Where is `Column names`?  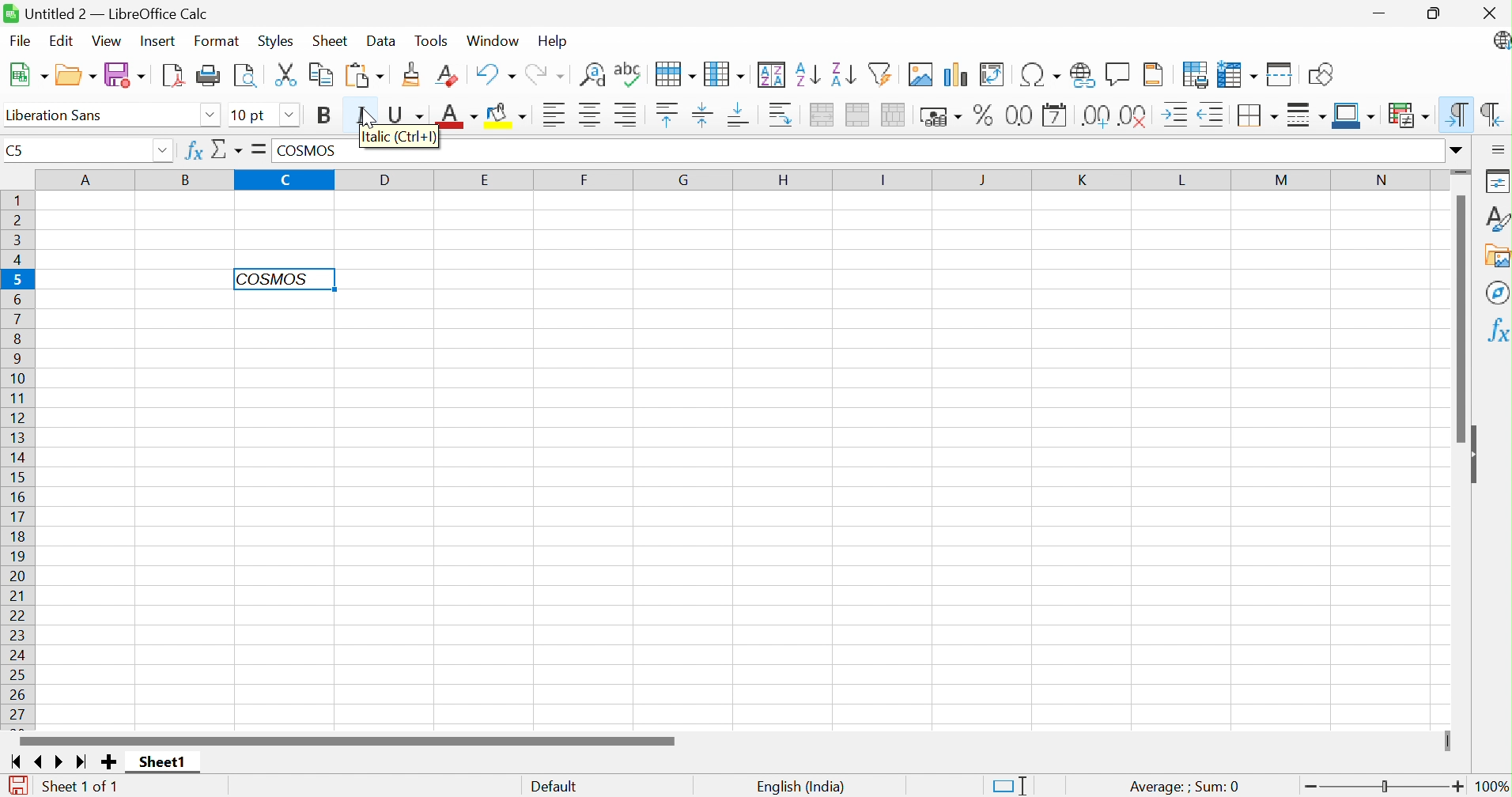
Column names is located at coordinates (736, 179).